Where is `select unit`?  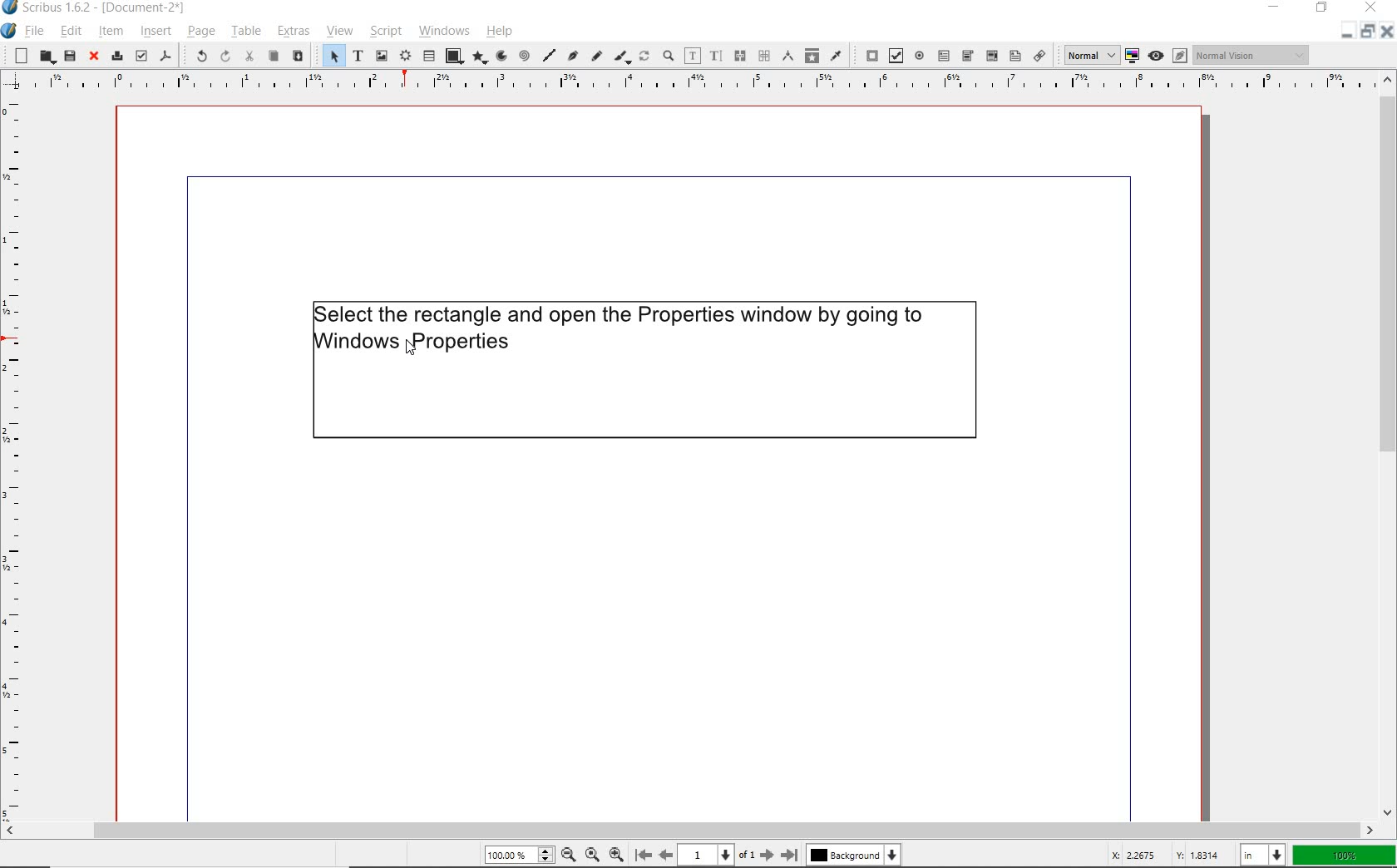
select unit is located at coordinates (1264, 855).